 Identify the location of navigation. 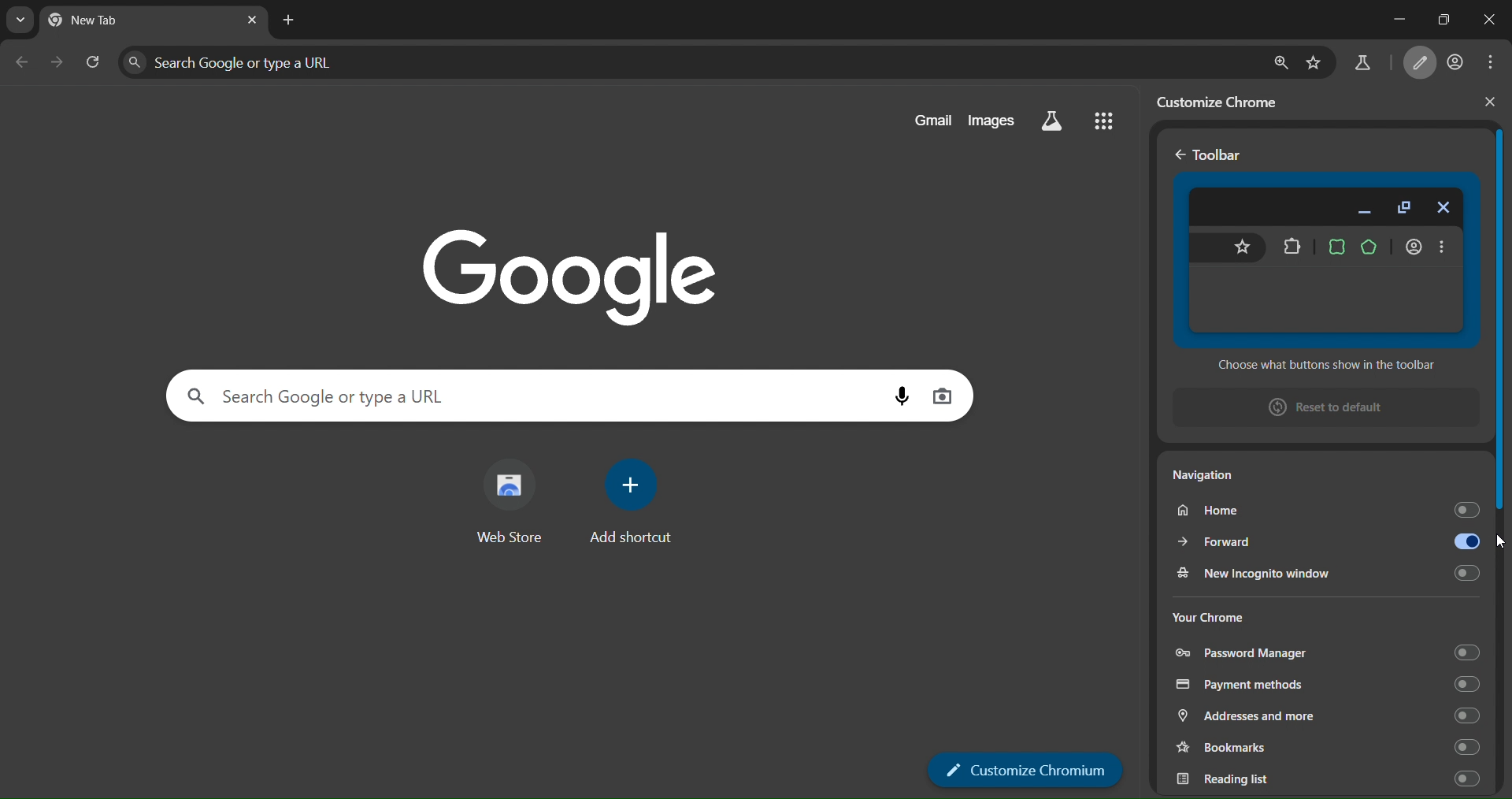
(1228, 478).